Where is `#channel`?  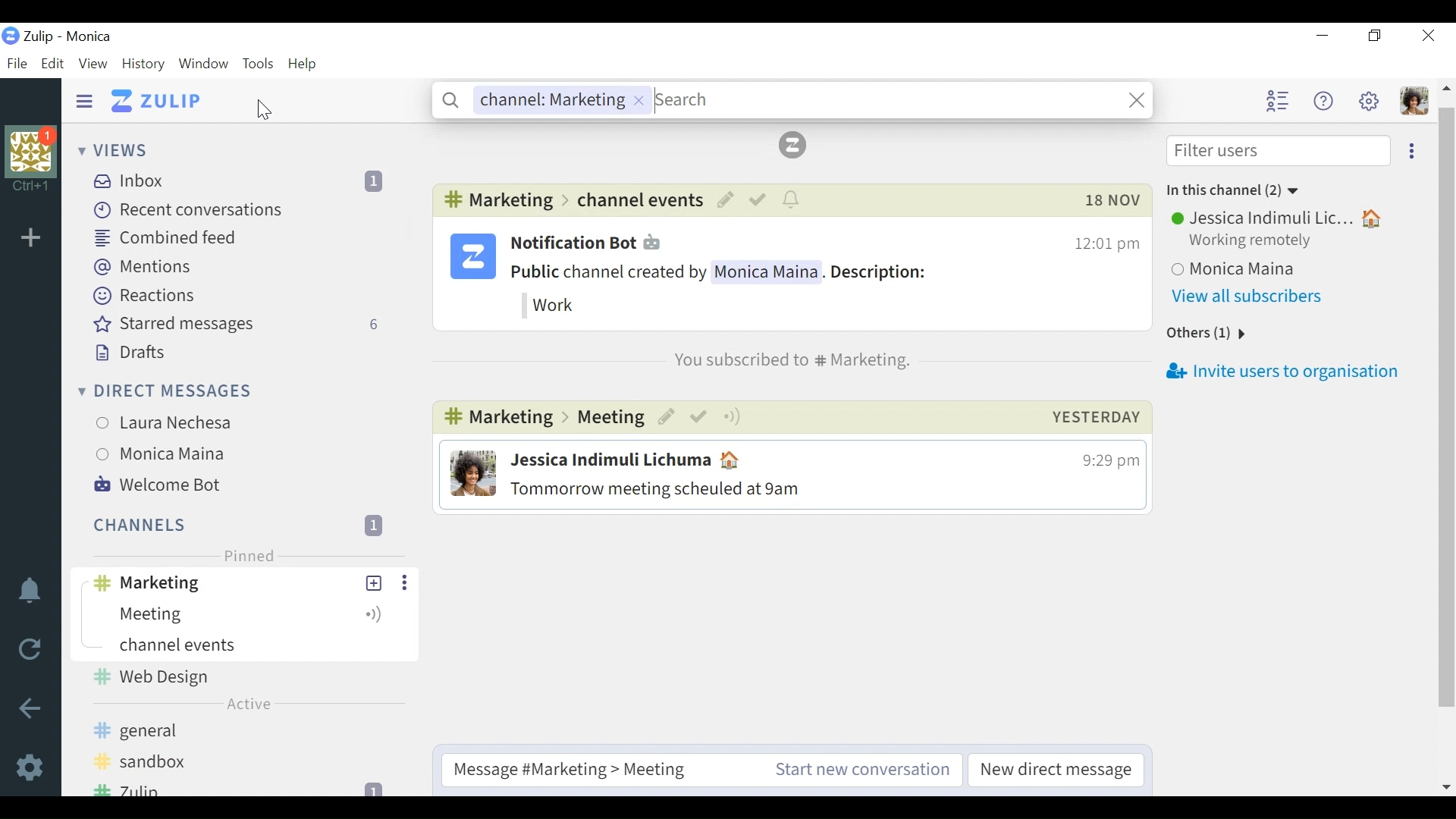
#channel is located at coordinates (221, 582).